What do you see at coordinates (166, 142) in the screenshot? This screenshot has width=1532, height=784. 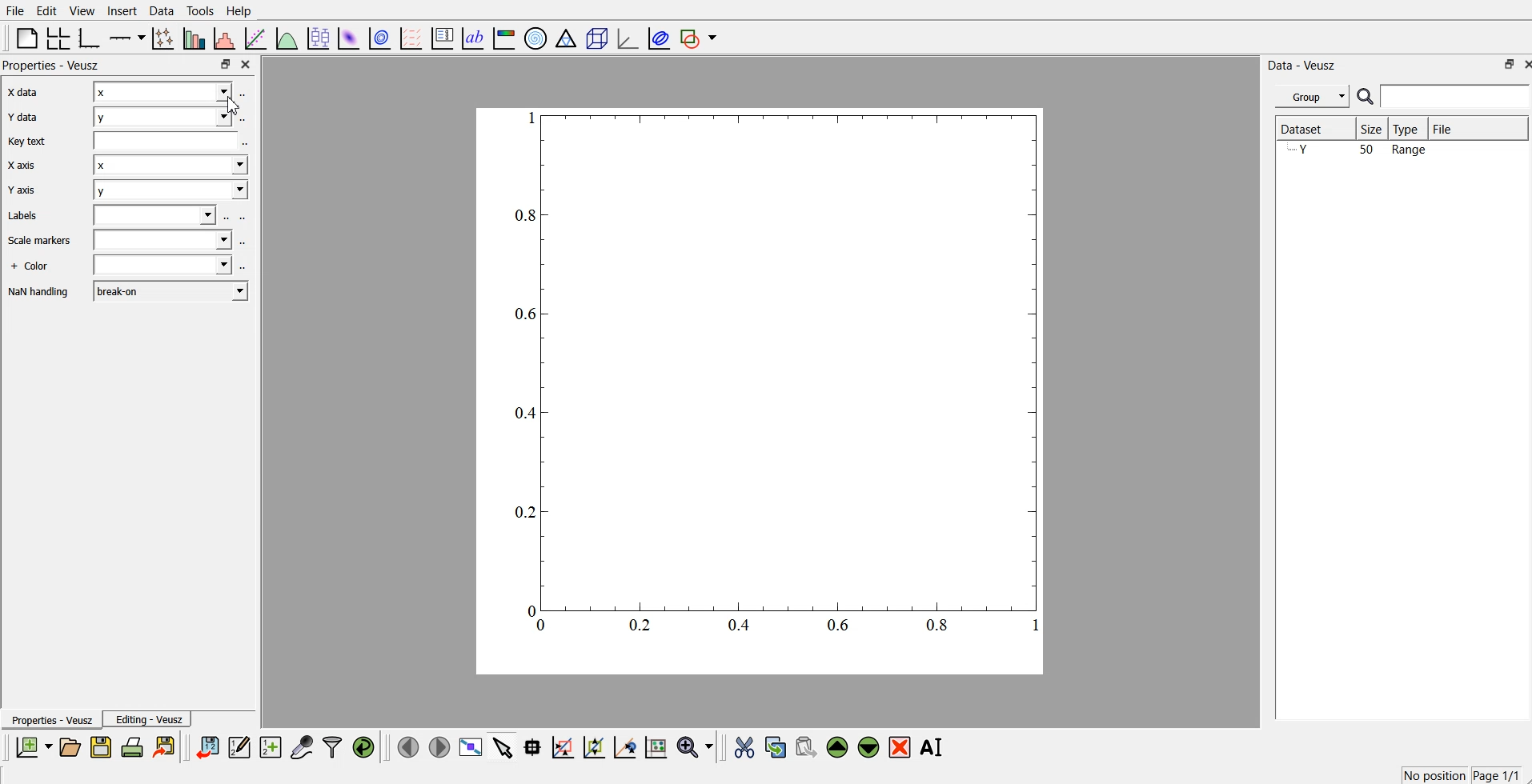 I see `Key text field` at bounding box center [166, 142].